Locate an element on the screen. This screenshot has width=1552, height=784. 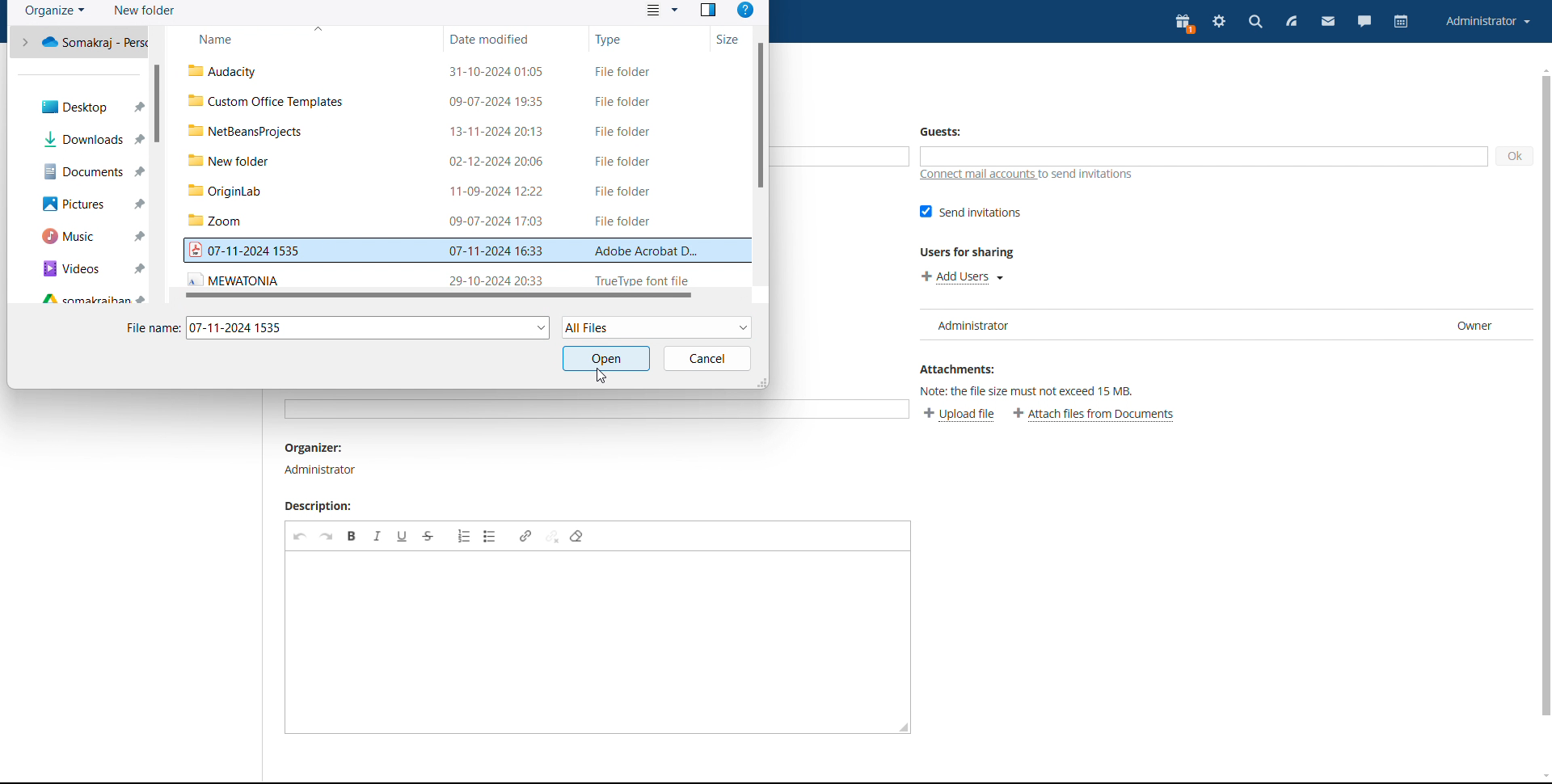
feed is located at coordinates (1292, 23).